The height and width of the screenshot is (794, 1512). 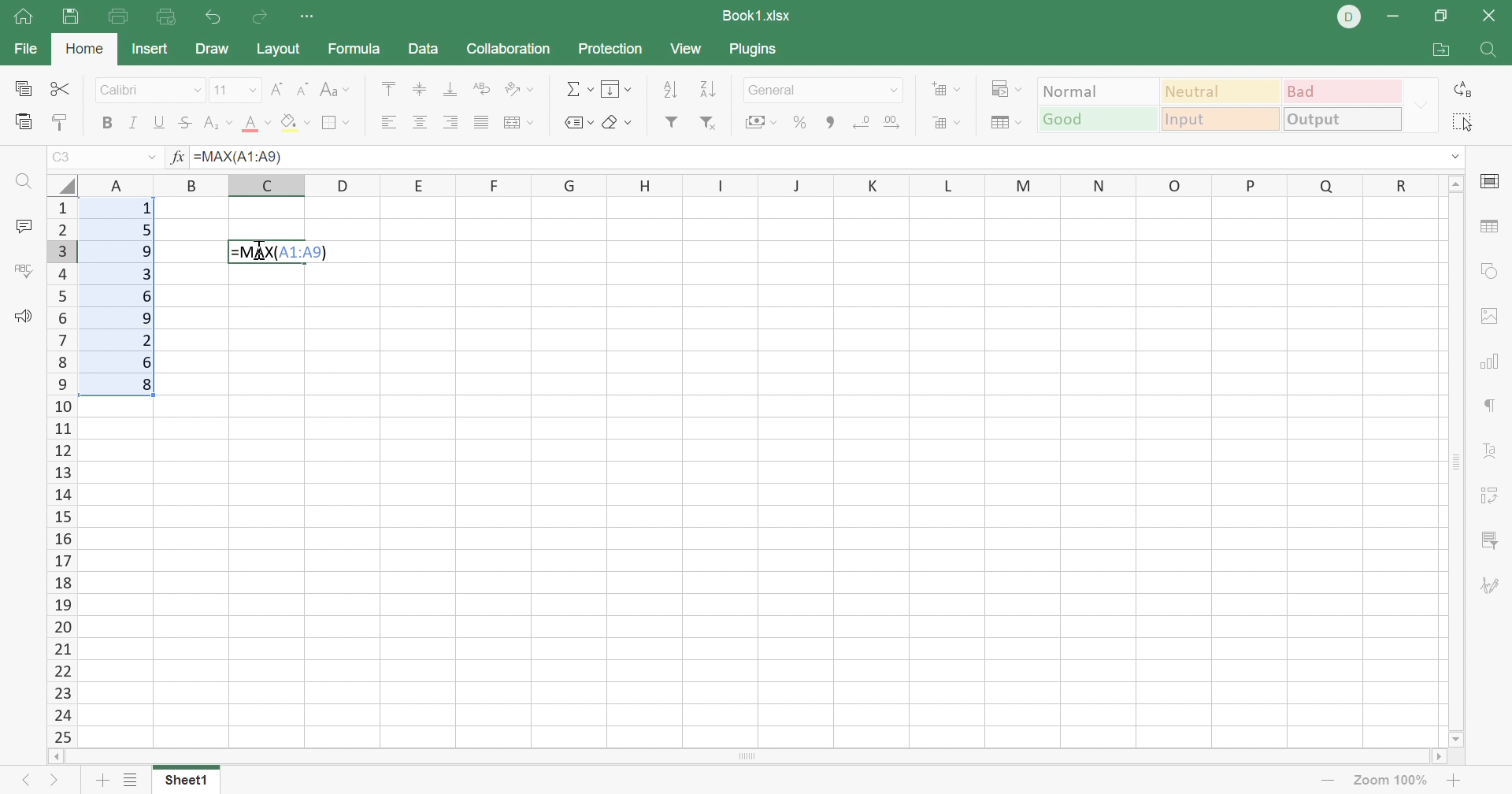 I want to click on Insert, so click(x=149, y=49).